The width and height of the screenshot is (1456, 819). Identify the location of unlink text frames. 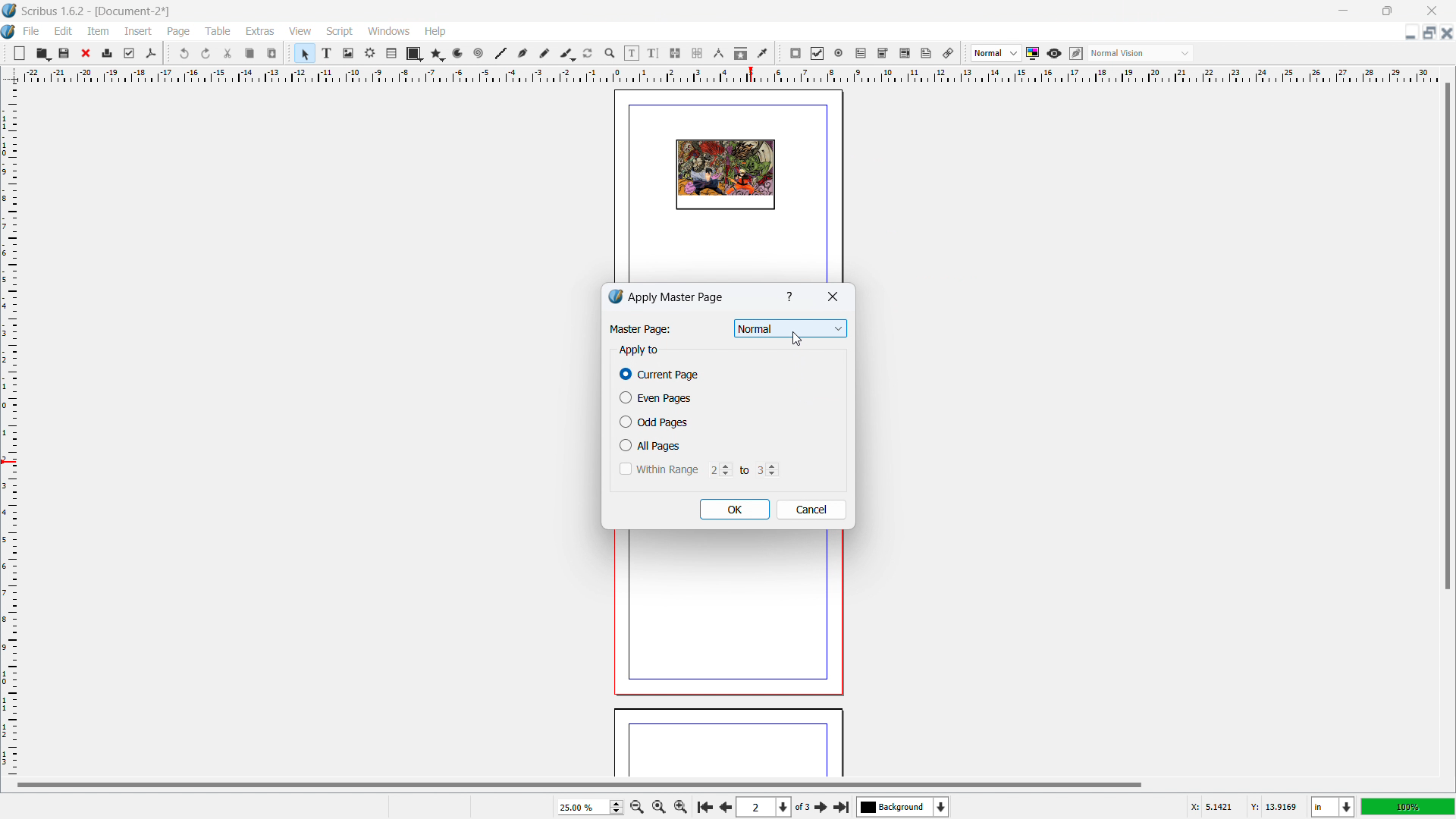
(697, 54).